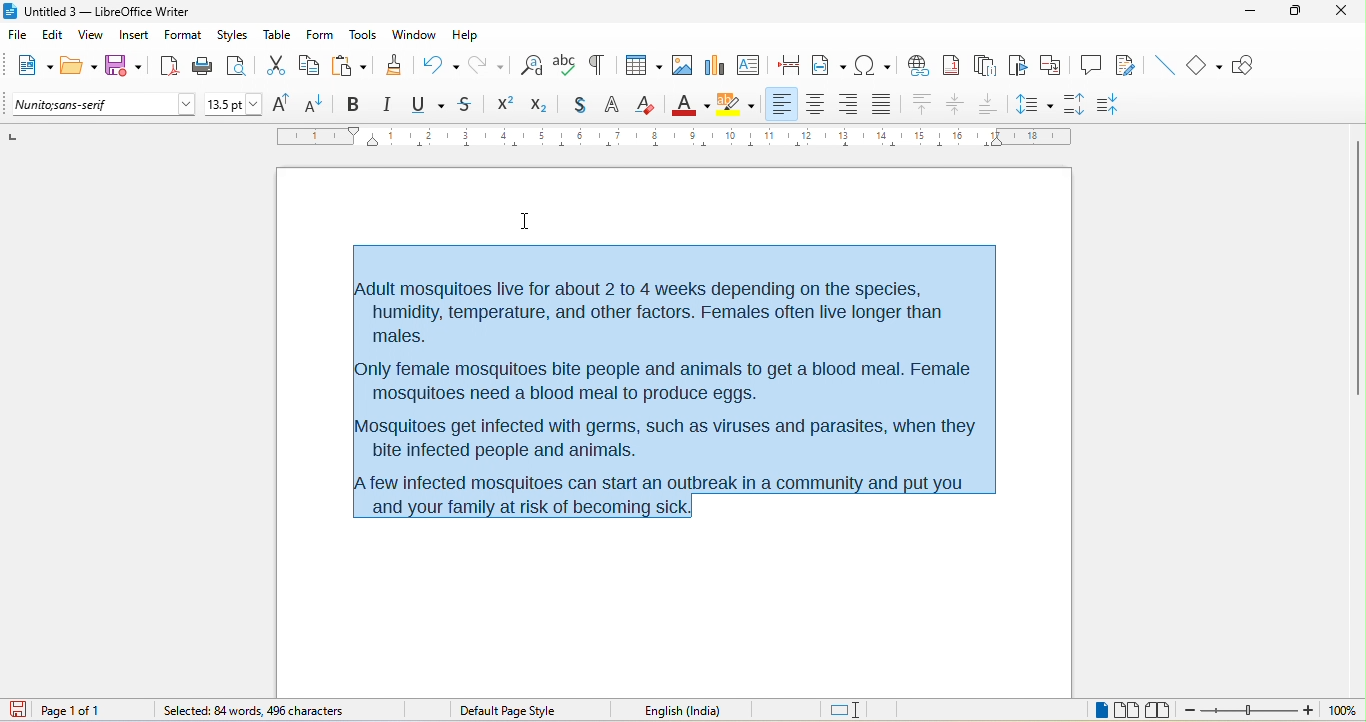 Image resolution: width=1366 pixels, height=722 pixels. Describe the element at coordinates (251, 712) in the screenshot. I see `84 words, 496 characters` at that location.